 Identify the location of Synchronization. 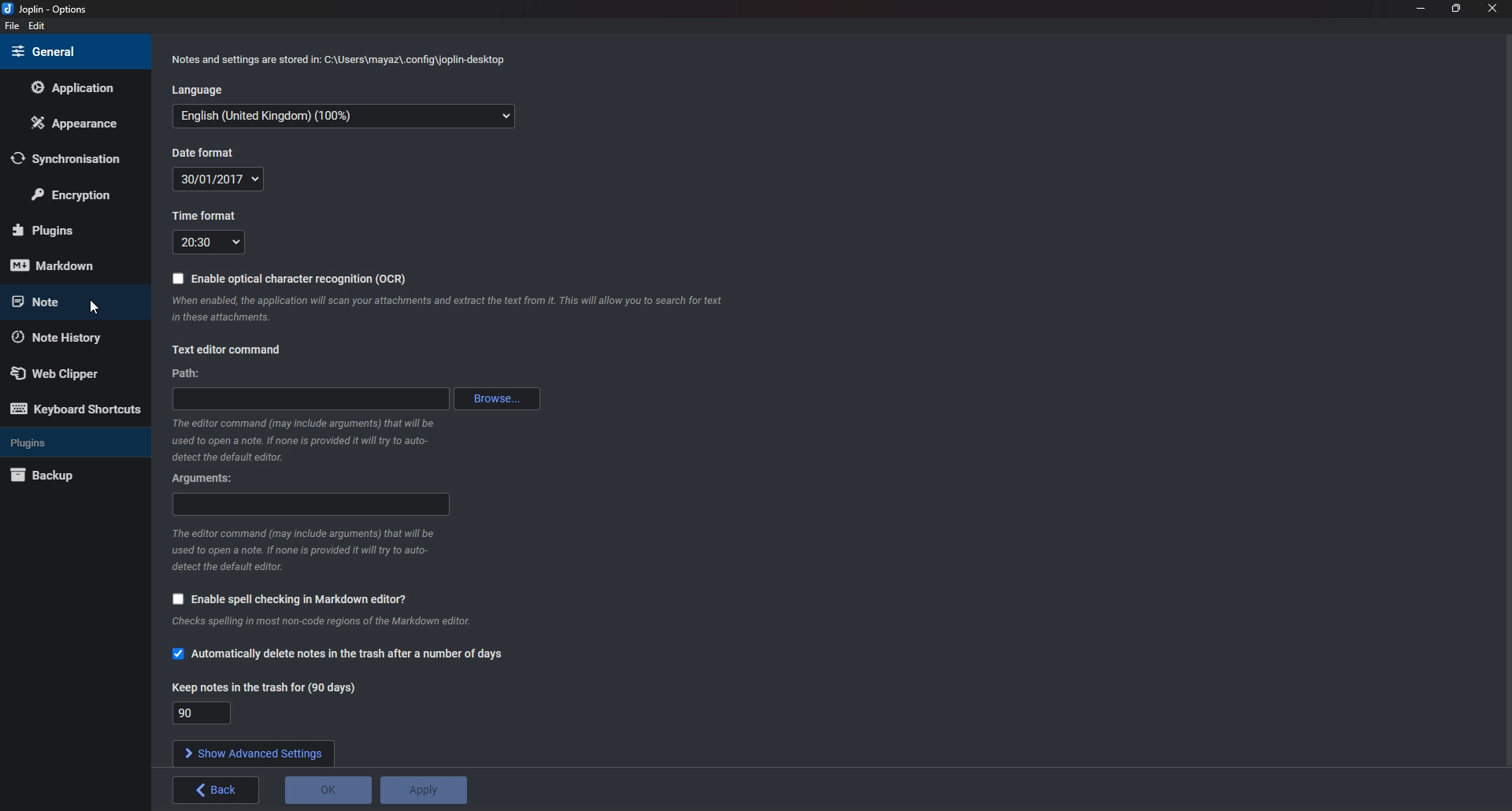
(69, 159).